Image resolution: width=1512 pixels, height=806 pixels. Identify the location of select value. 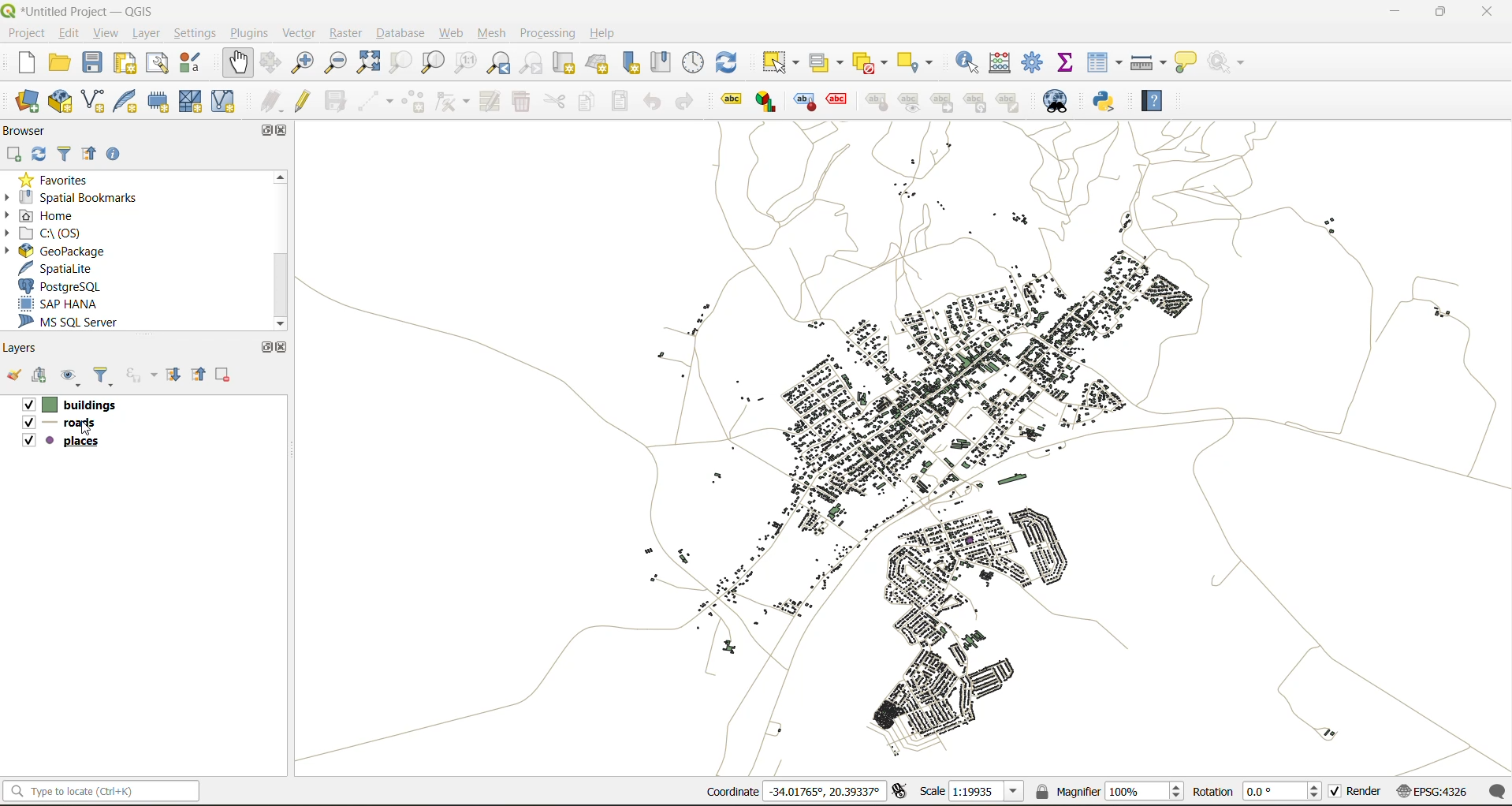
(829, 62).